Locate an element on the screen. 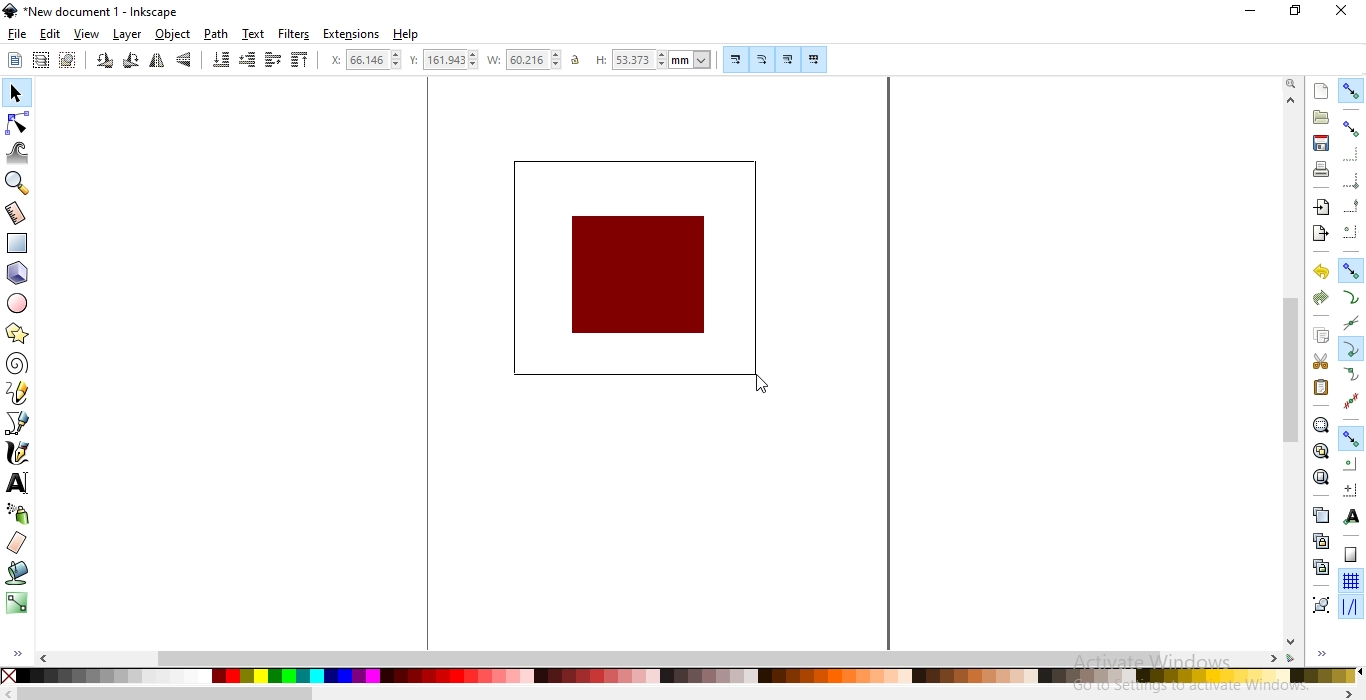  zoom is located at coordinates (1290, 85).